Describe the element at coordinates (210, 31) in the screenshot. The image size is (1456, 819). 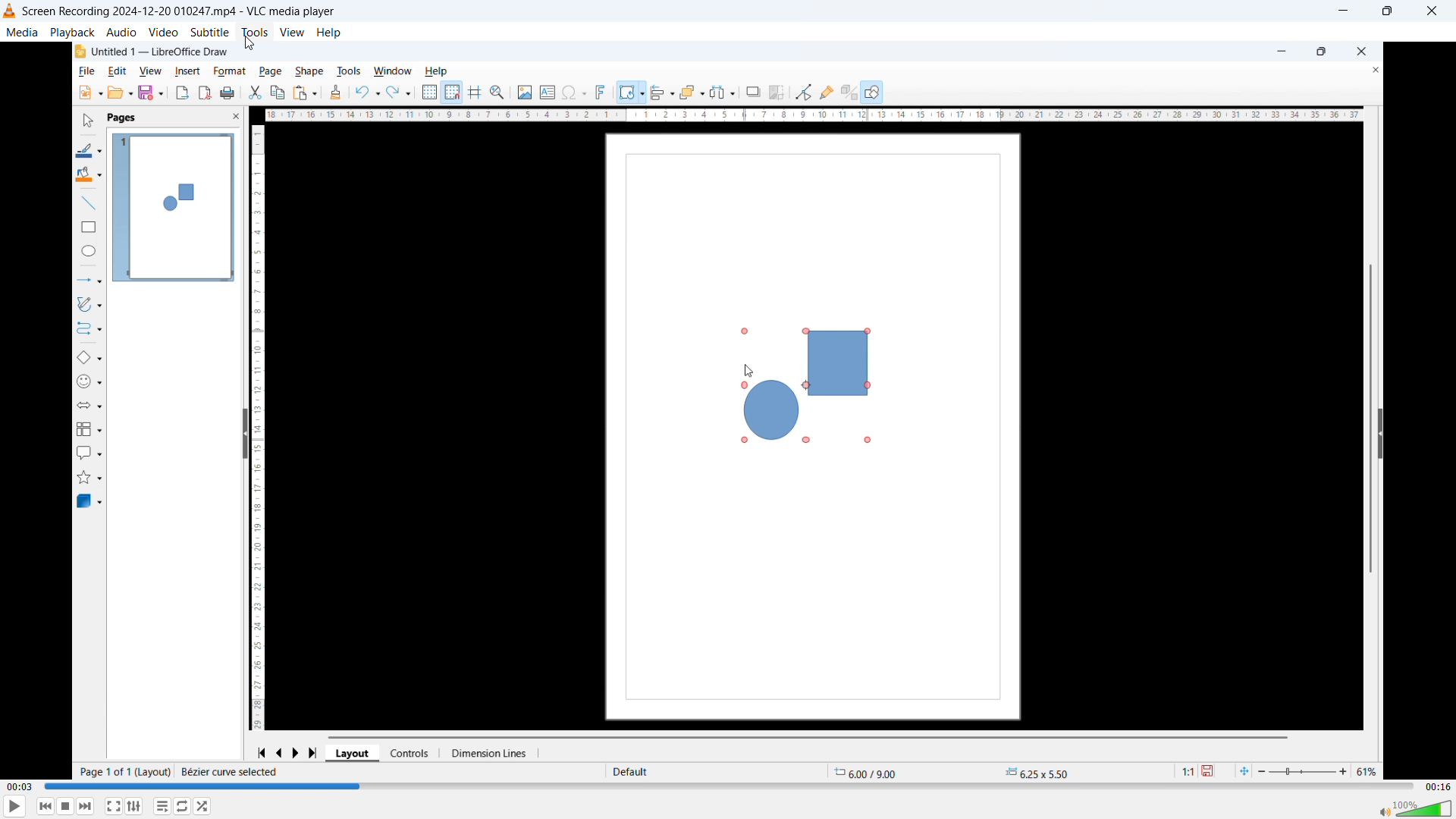
I see `subtitle` at that location.